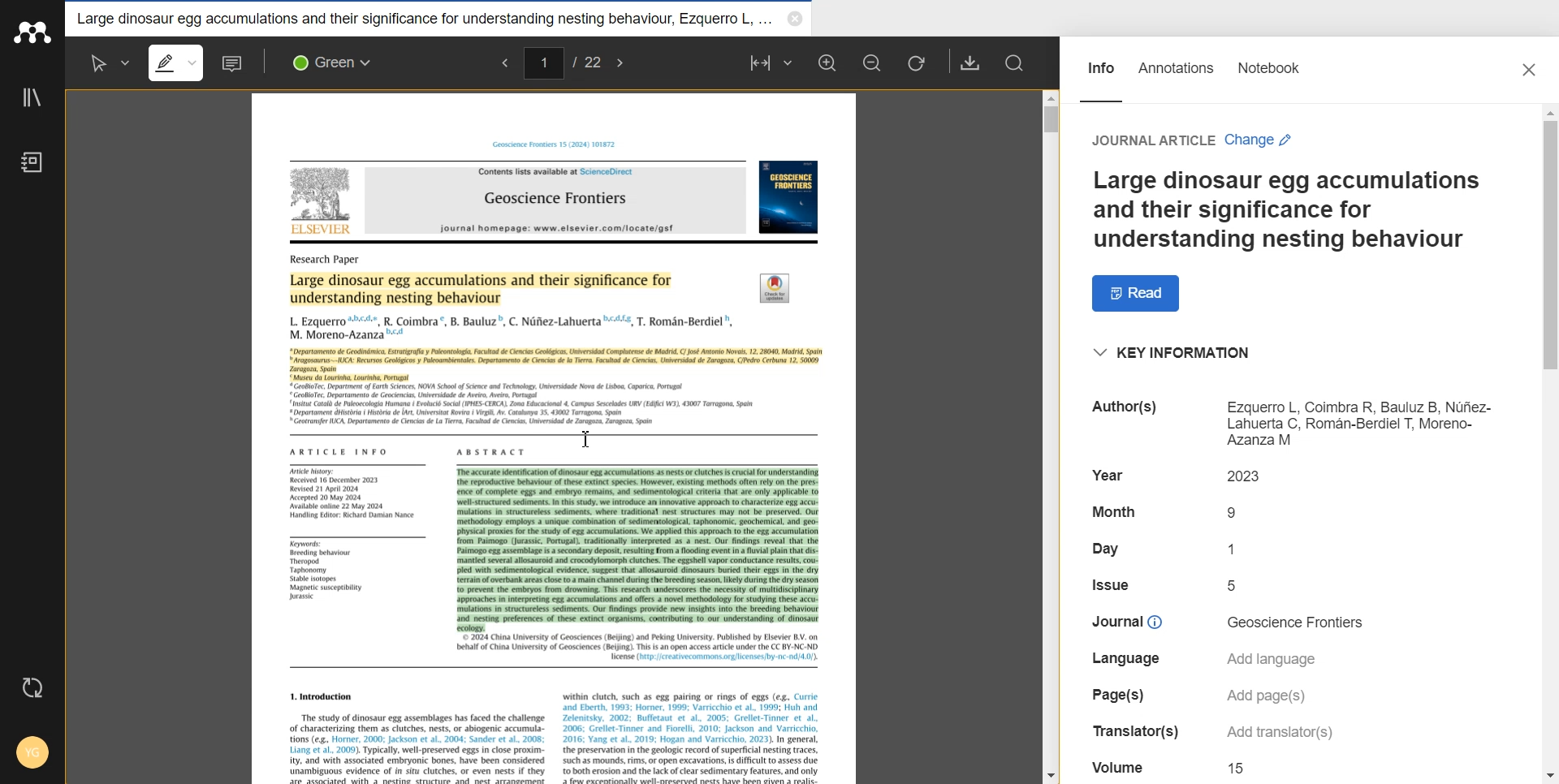  I want to click on logo, so click(776, 287).